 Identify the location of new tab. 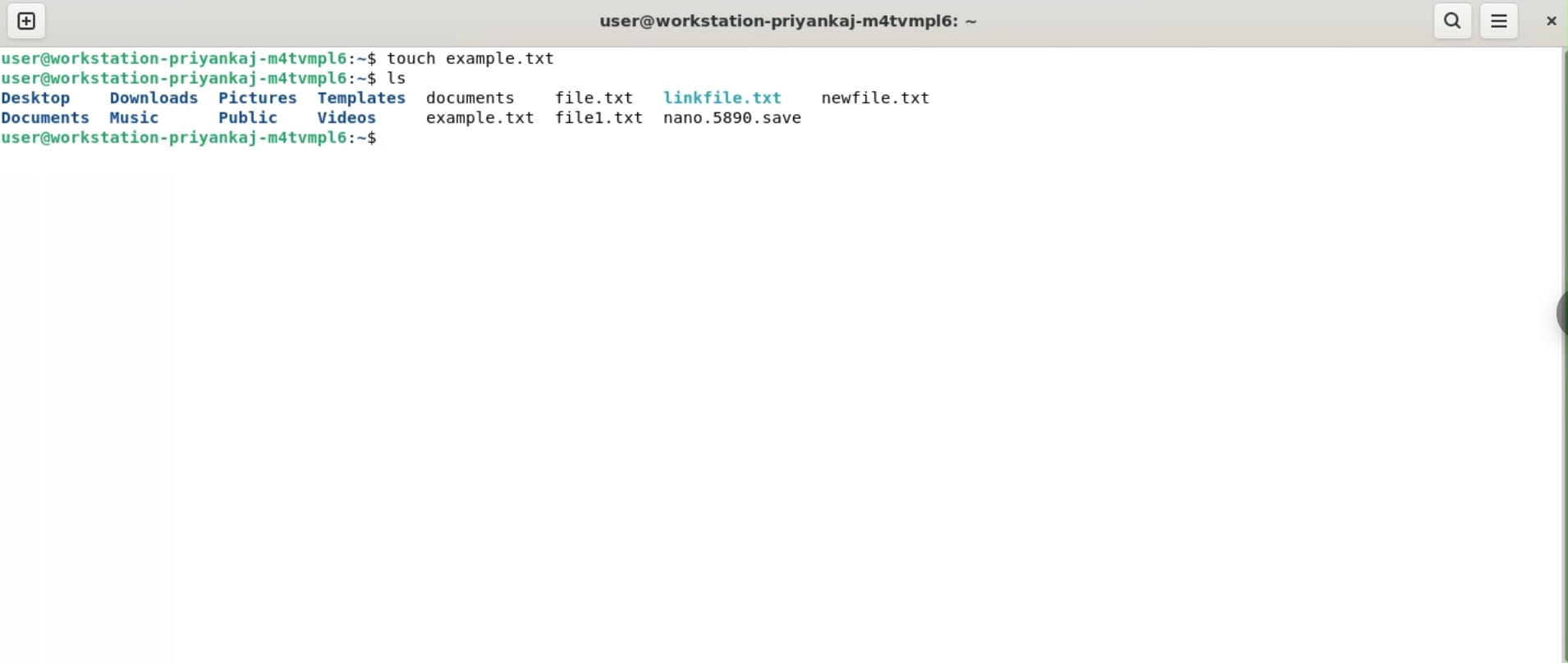
(28, 22).